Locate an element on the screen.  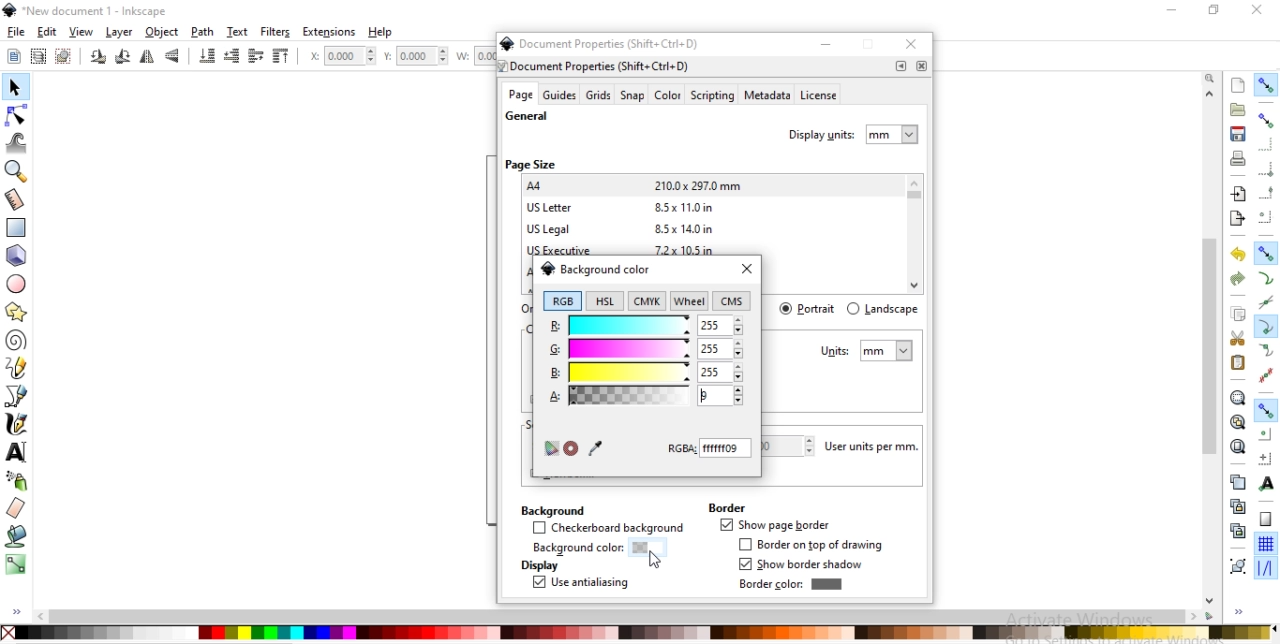
snap is located at coordinates (633, 96).